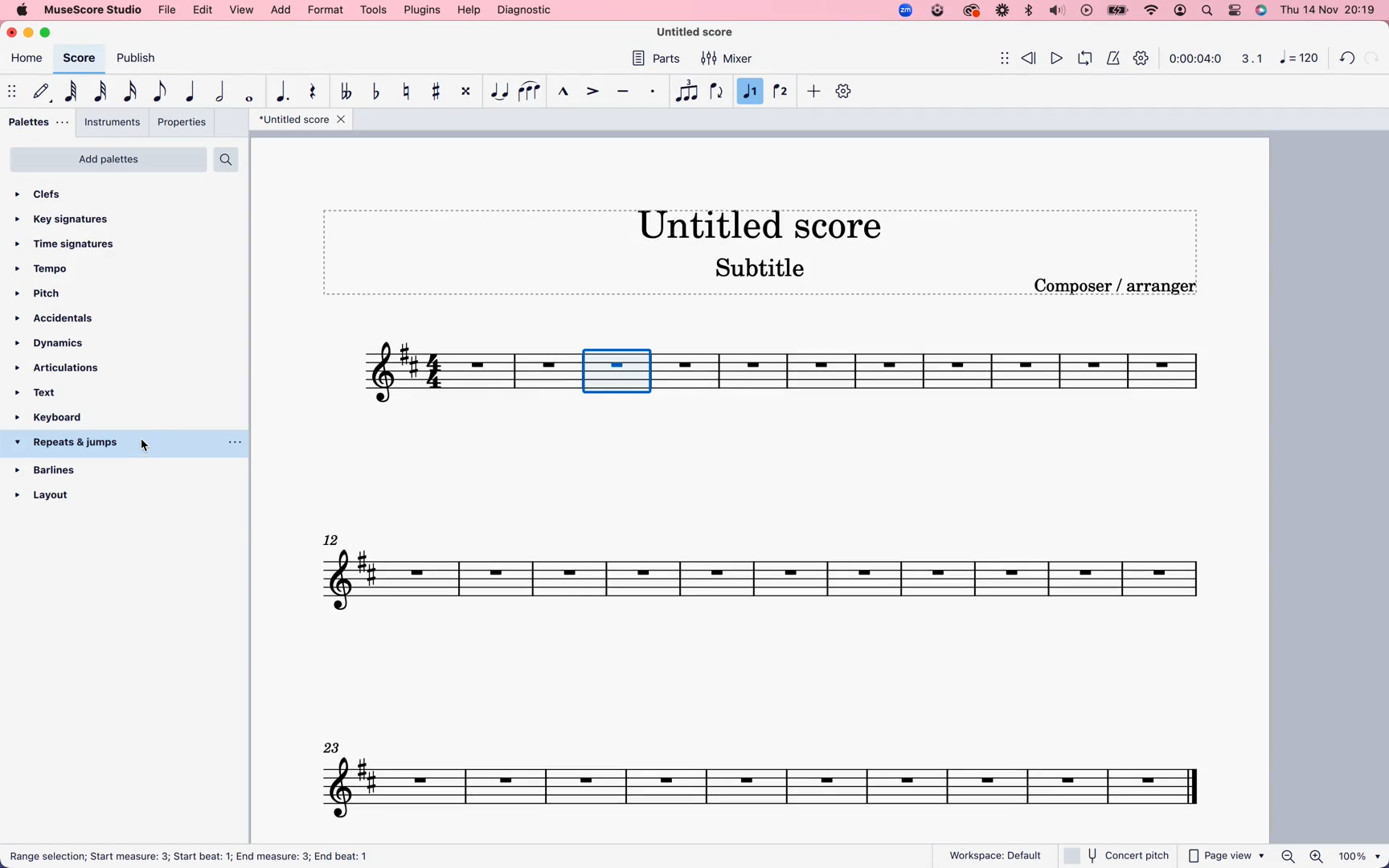 The height and width of the screenshot is (868, 1389). I want to click on rest, so click(314, 93).